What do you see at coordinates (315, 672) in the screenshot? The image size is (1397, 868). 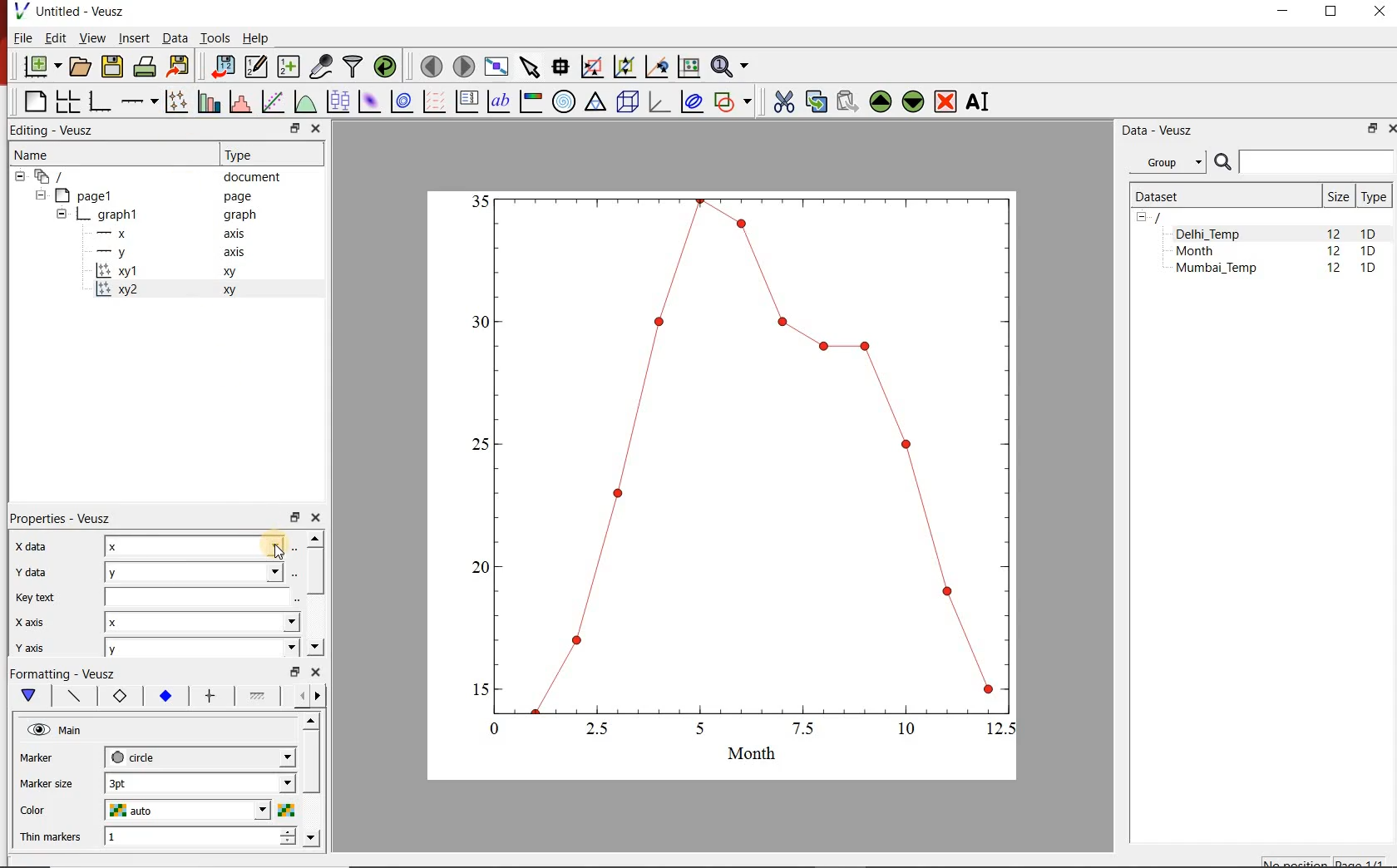 I see `close` at bounding box center [315, 672].